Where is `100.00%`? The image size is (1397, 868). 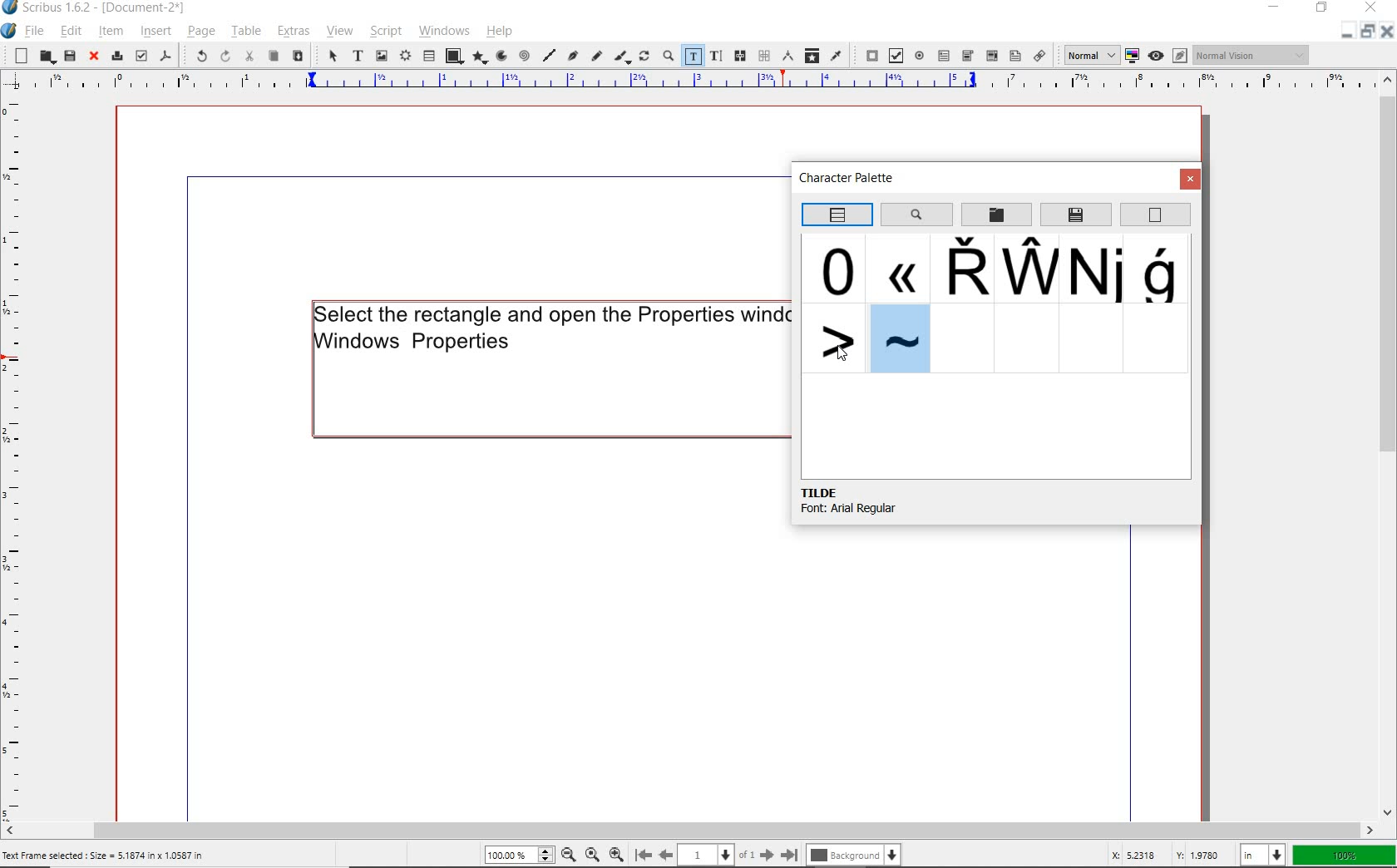
100.00% is located at coordinates (517, 855).